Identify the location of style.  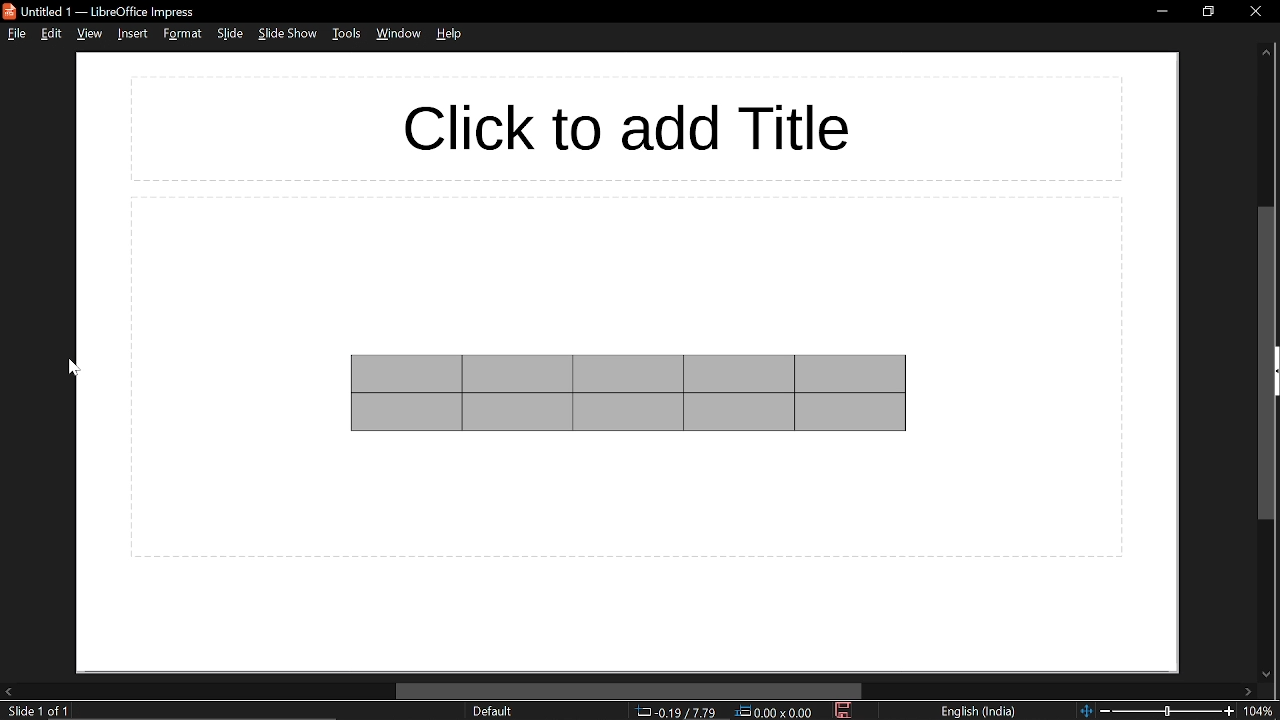
(182, 34).